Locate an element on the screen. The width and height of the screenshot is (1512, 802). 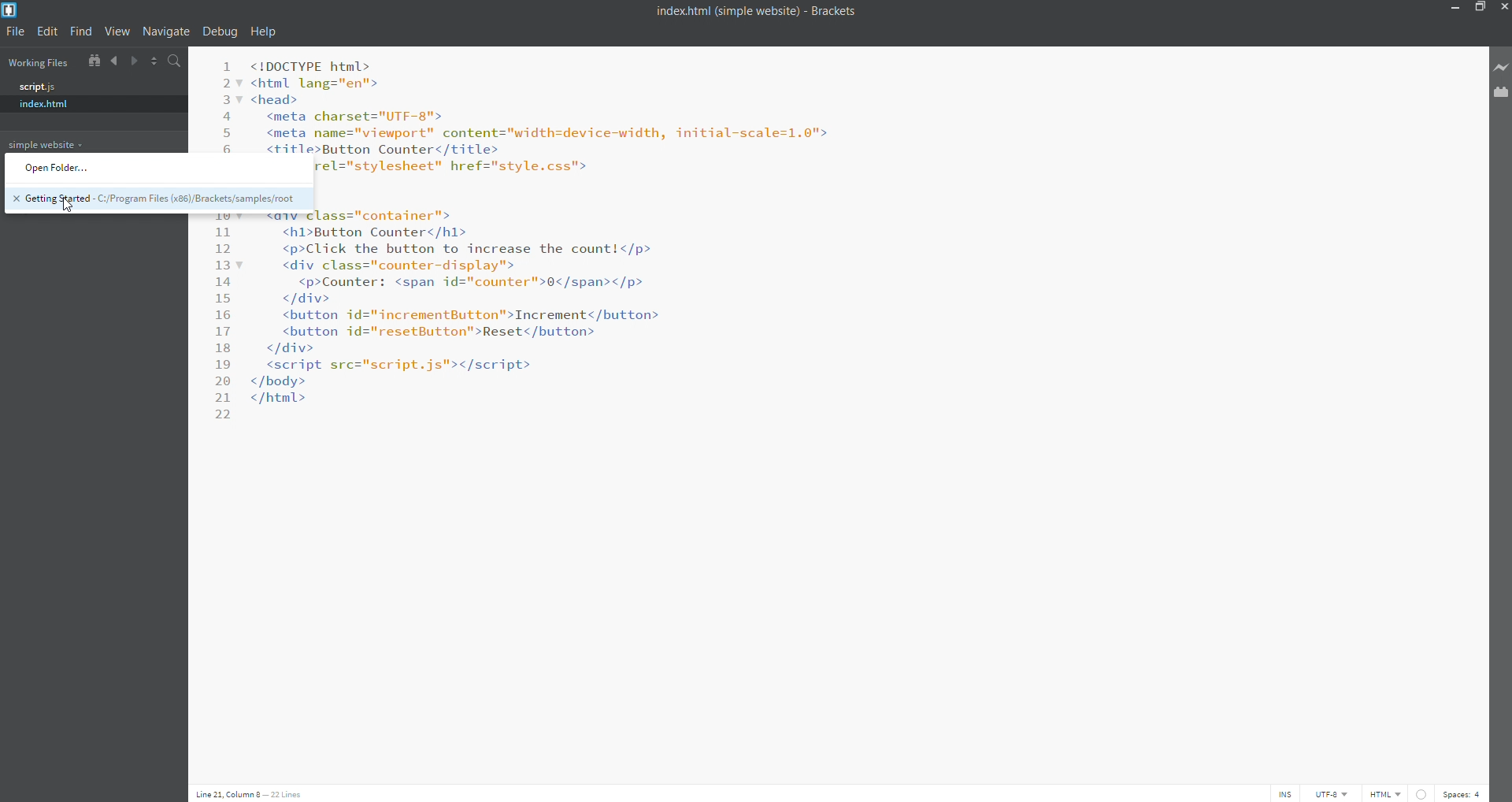
Line 21, Column 8- 22 Lines is located at coordinates (249, 793).